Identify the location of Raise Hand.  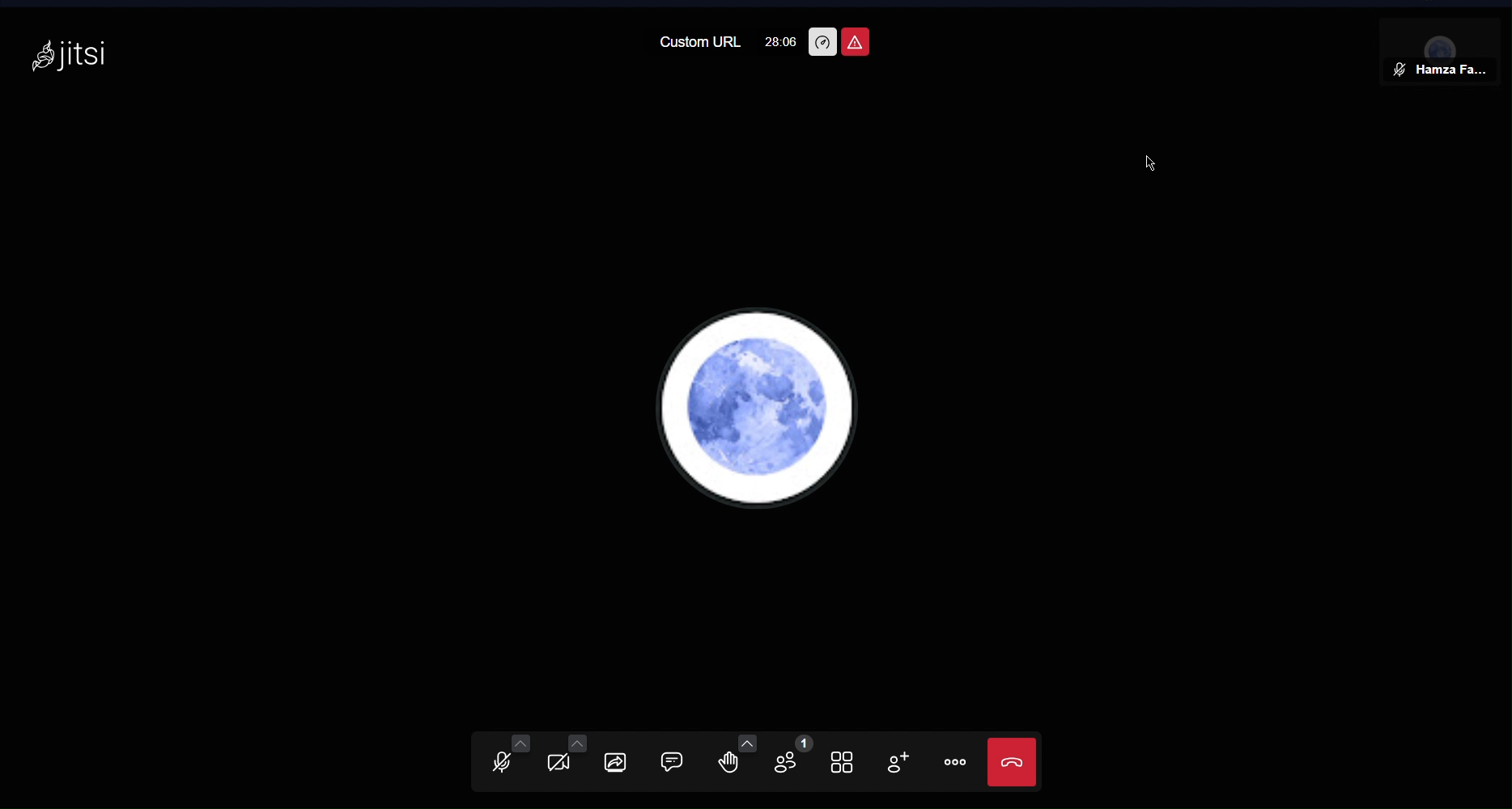
(737, 760).